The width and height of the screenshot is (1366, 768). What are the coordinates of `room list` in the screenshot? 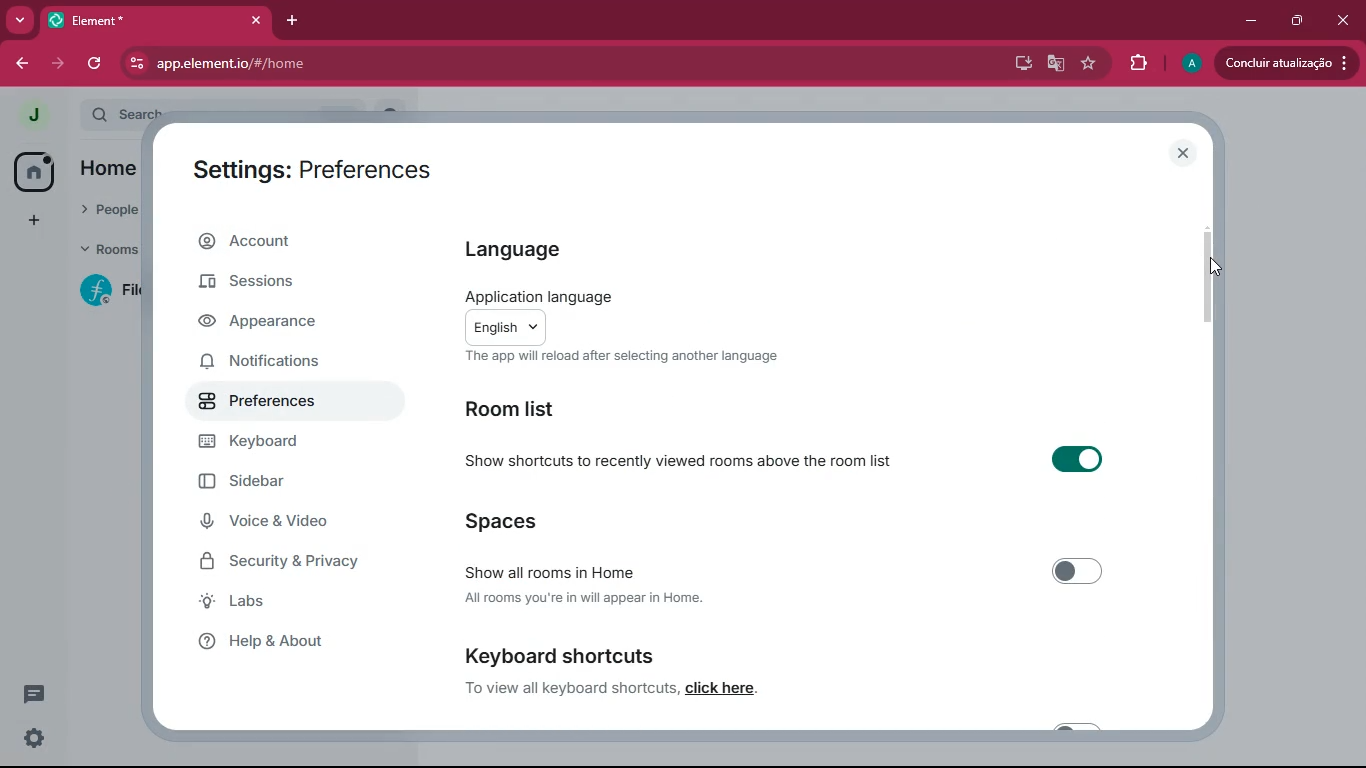 It's located at (530, 412).